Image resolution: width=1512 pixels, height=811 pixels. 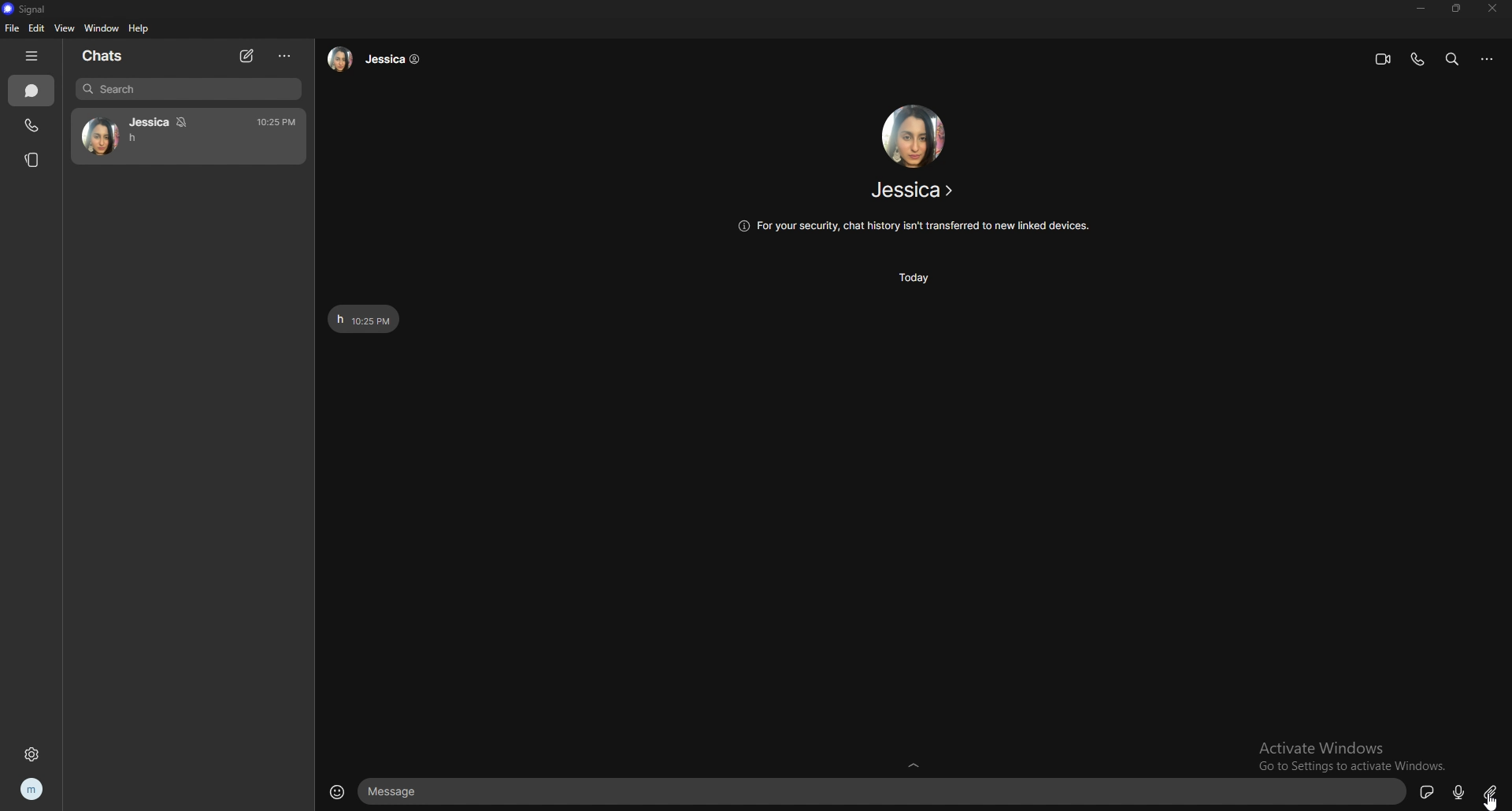 I want to click on sticker, so click(x=1427, y=791).